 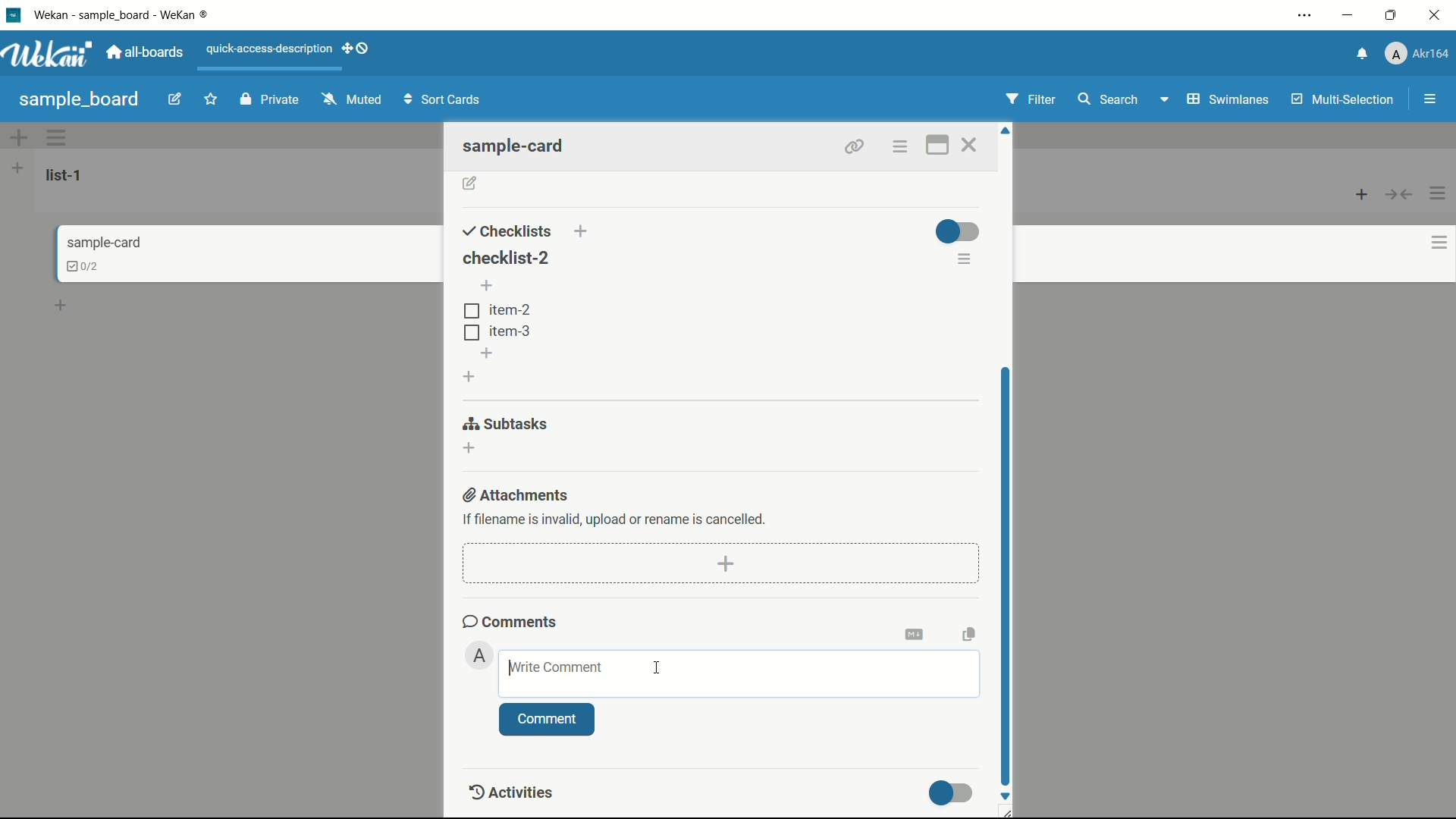 What do you see at coordinates (1420, 54) in the screenshot?
I see `profile` at bounding box center [1420, 54].